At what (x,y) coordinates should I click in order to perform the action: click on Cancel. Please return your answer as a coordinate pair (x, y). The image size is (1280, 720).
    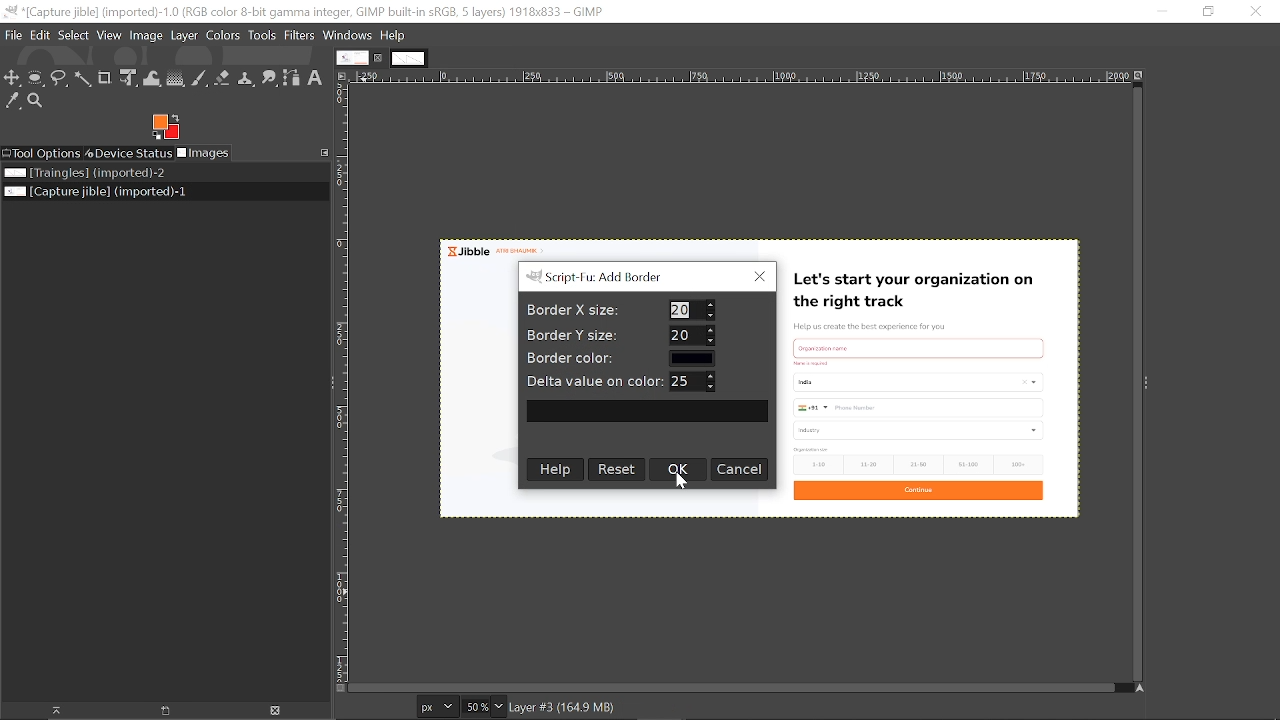
    Looking at the image, I should click on (739, 469).